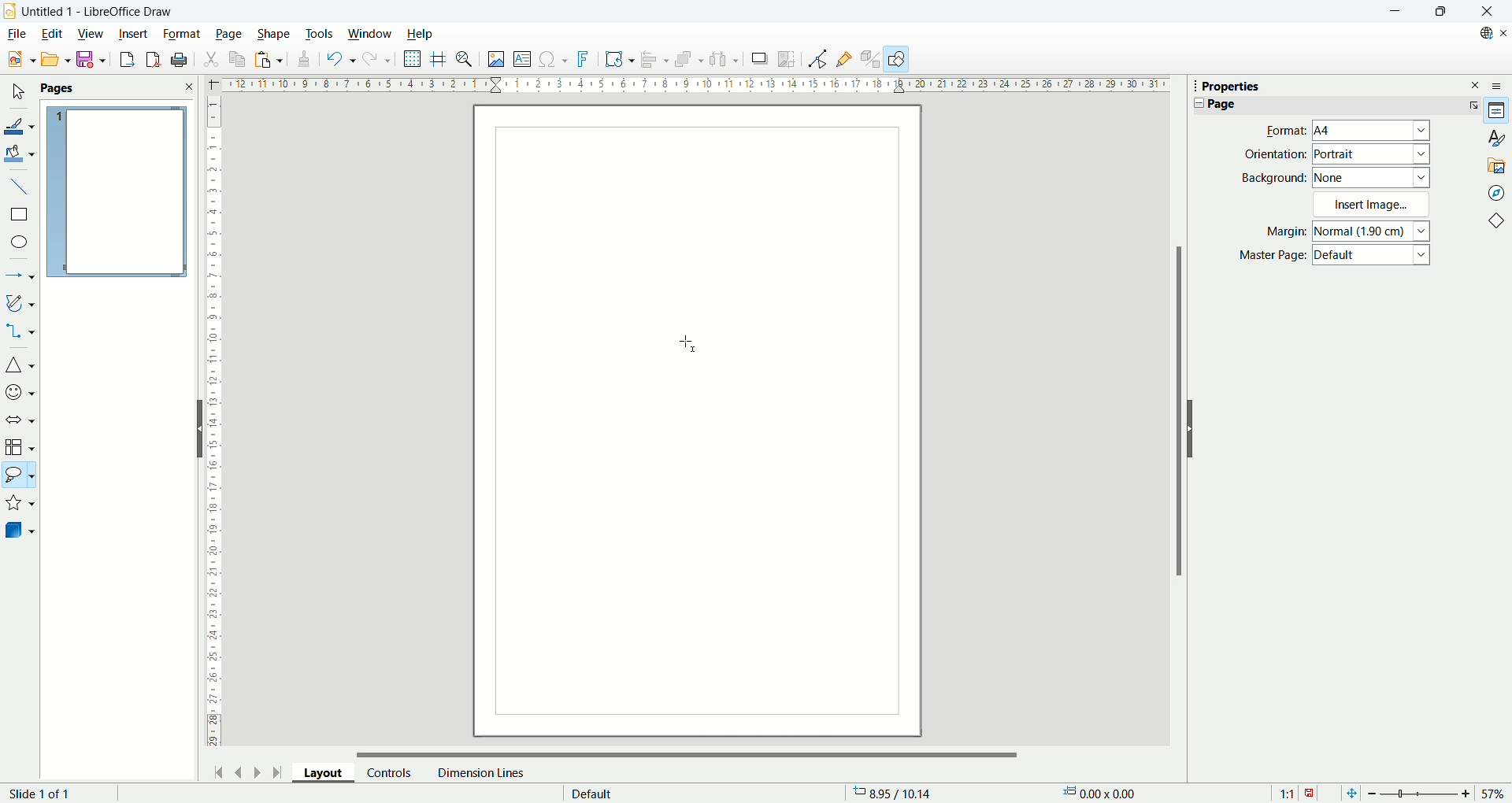  Describe the element at coordinates (1176, 419) in the screenshot. I see `Vertival scroll bar` at that location.